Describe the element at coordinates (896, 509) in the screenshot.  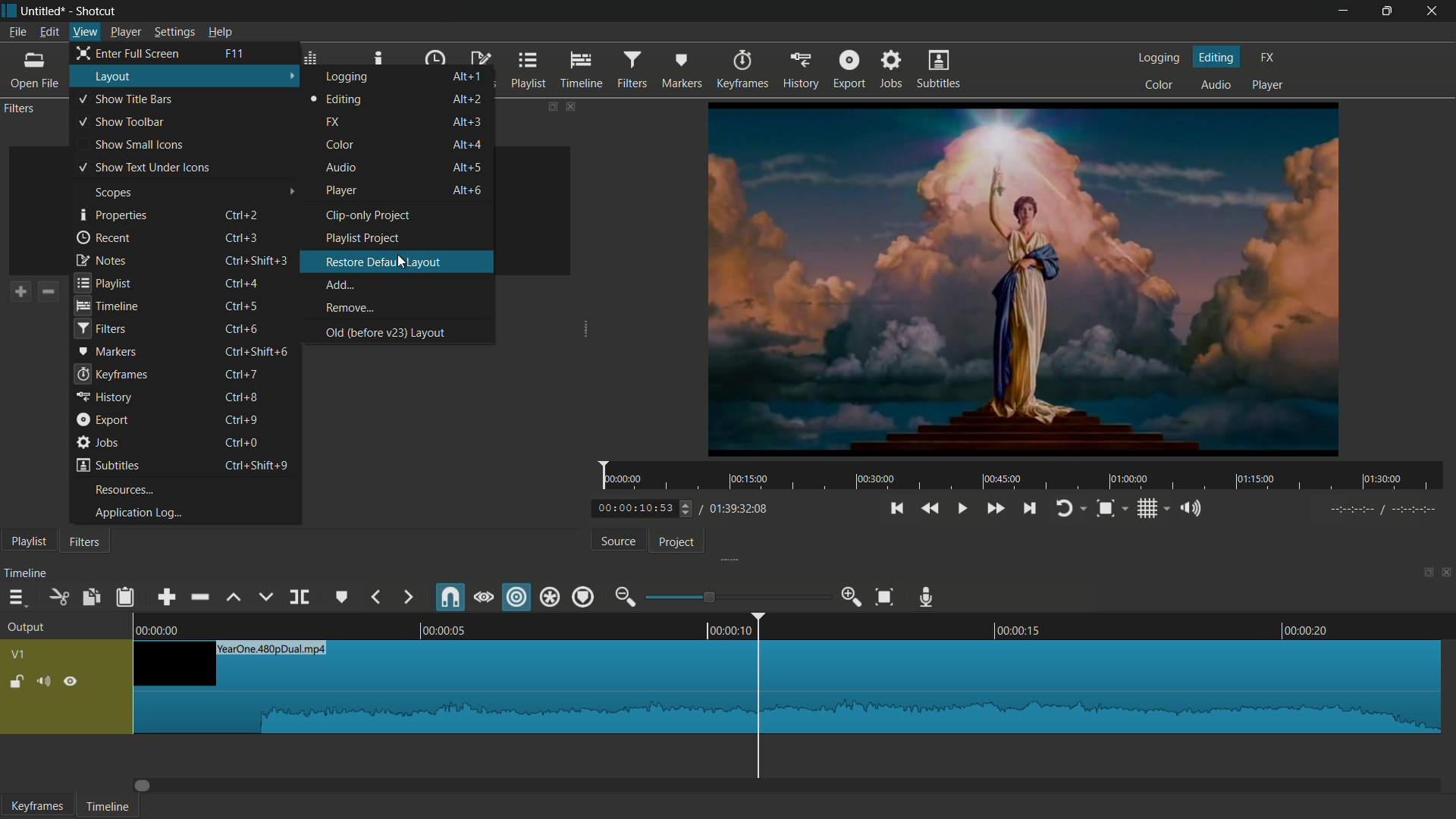
I see `skip to the previous point` at that location.